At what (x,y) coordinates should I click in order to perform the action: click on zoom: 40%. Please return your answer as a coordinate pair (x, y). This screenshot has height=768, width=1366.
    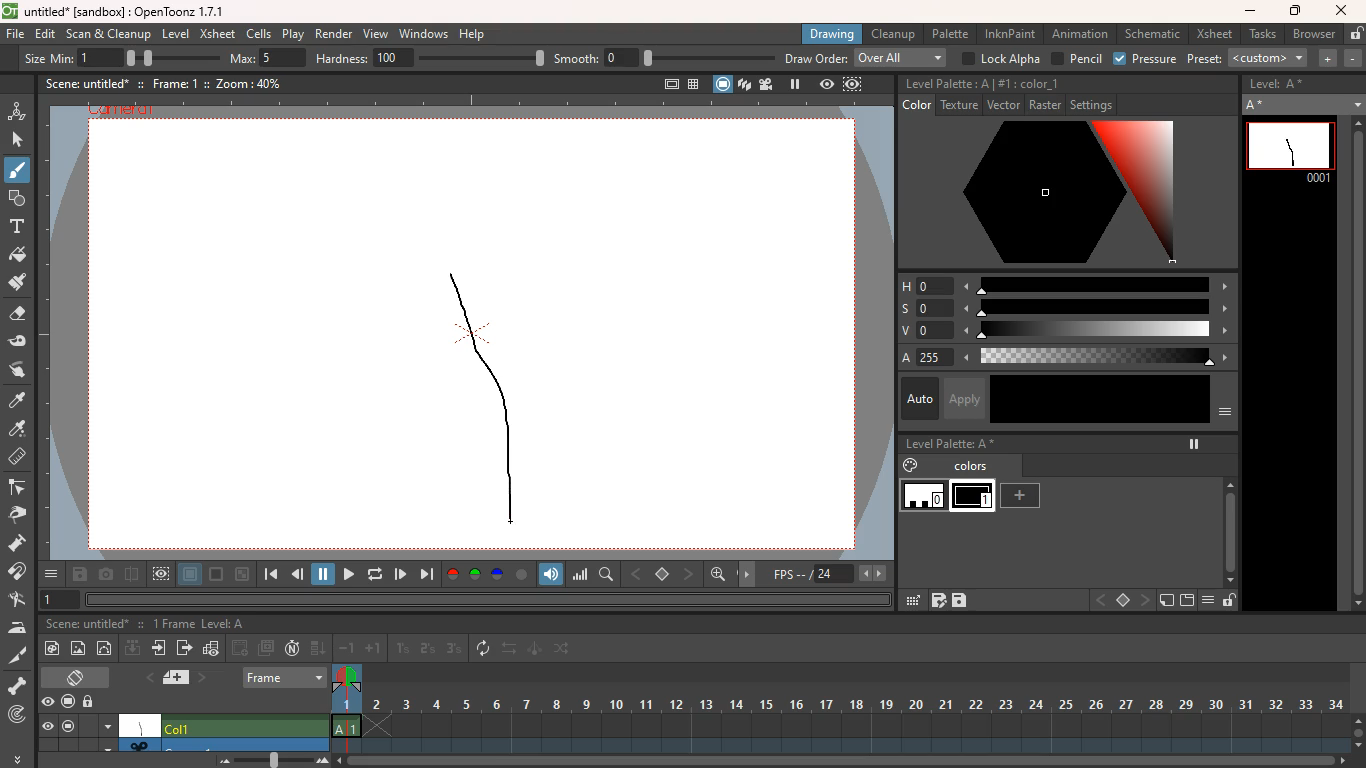
    Looking at the image, I should click on (240, 83).